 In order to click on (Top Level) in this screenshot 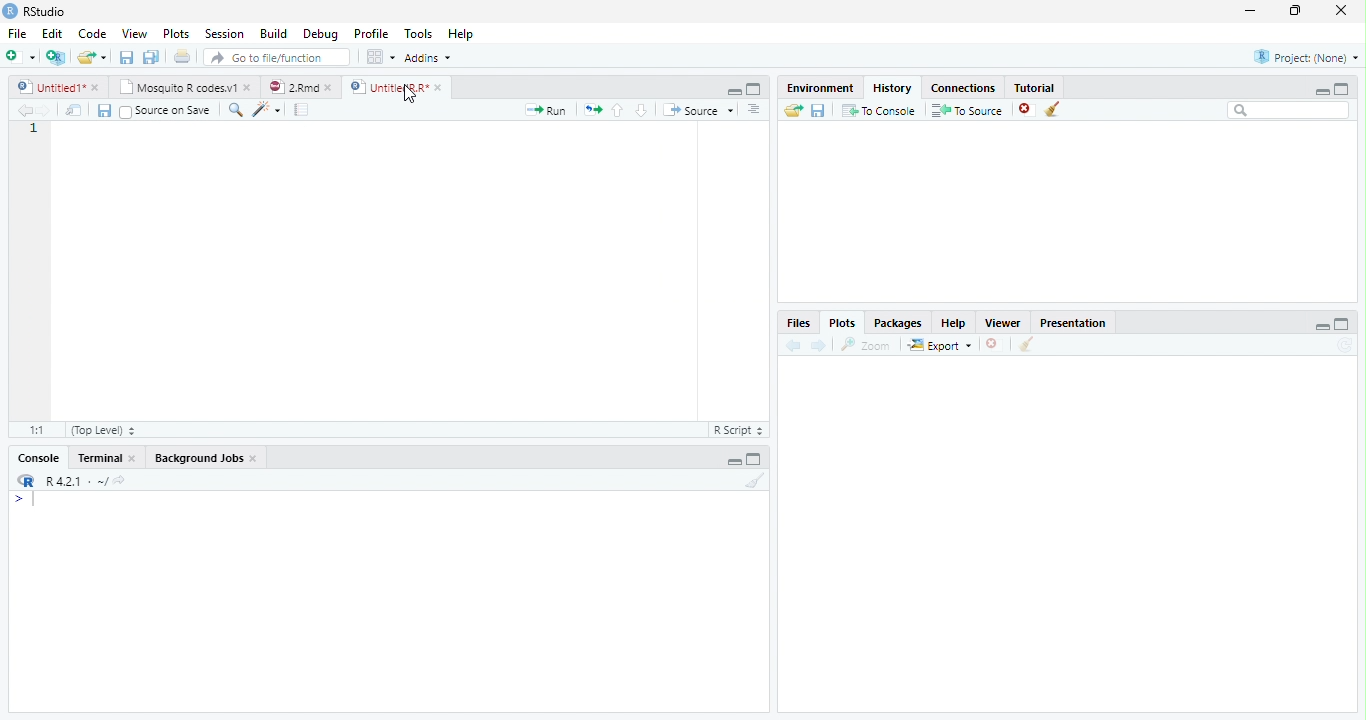, I will do `click(101, 431)`.